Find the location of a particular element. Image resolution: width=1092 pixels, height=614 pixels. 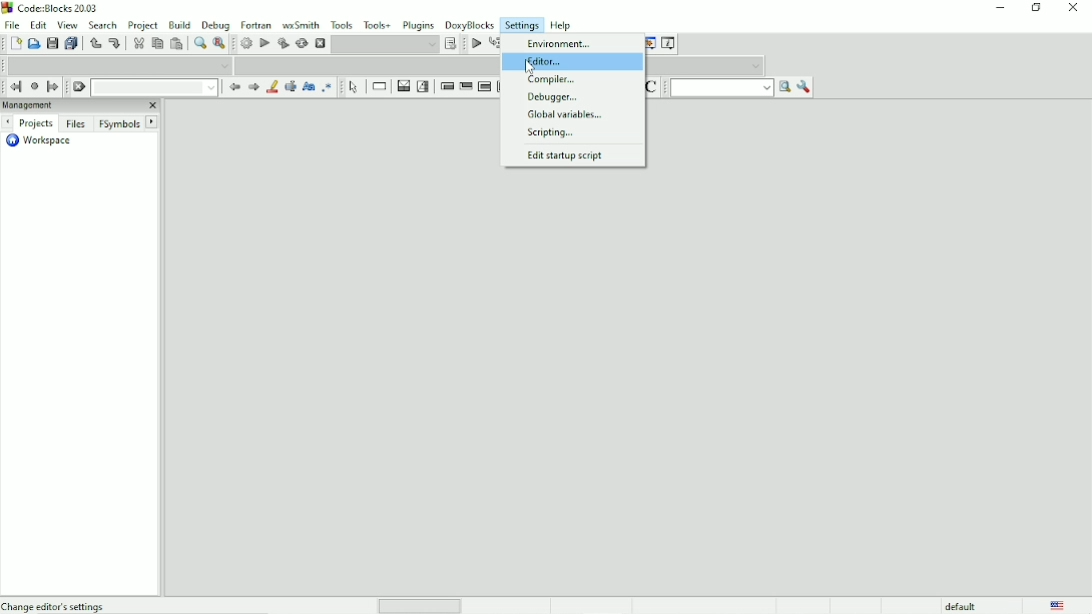

Minimize is located at coordinates (996, 8).